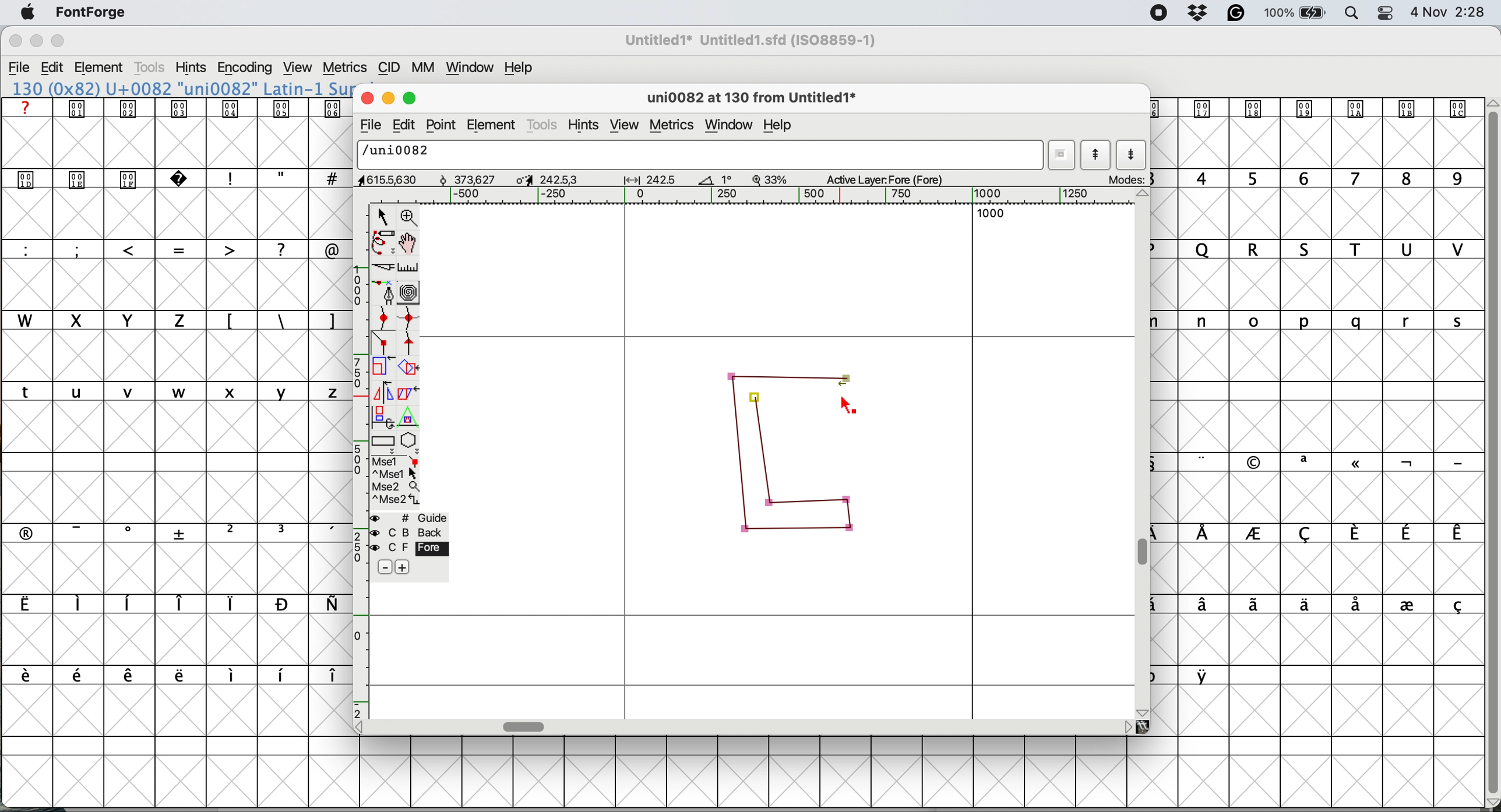 The width and height of the screenshot is (1501, 812). What do you see at coordinates (1325, 249) in the screenshot?
I see `uppercase letters` at bounding box center [1325, 249].